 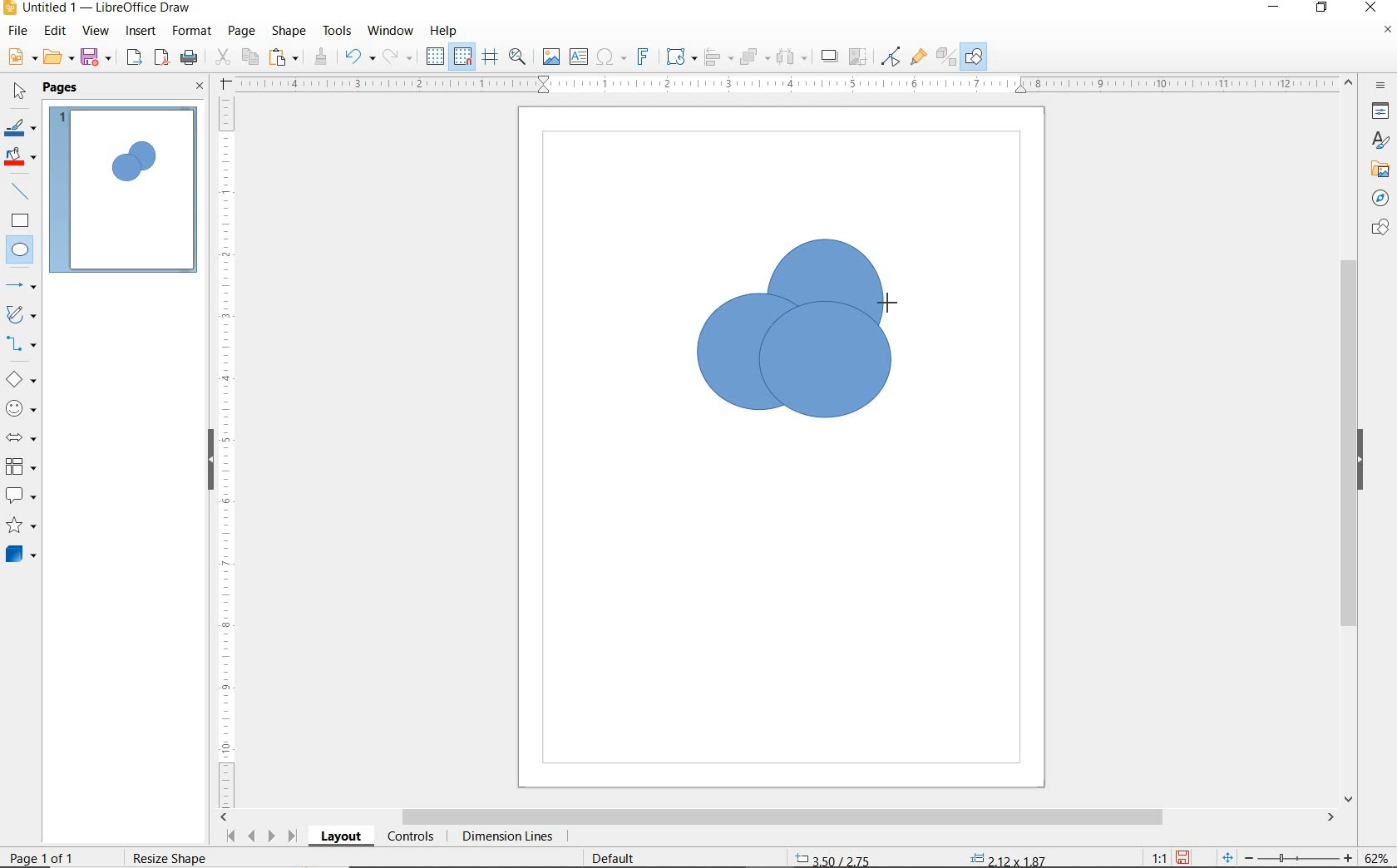 What do you see at coordinates (144, 158) in the screenshot?
I see `CIRCLE ADDED` at bounding box center [144, 158].